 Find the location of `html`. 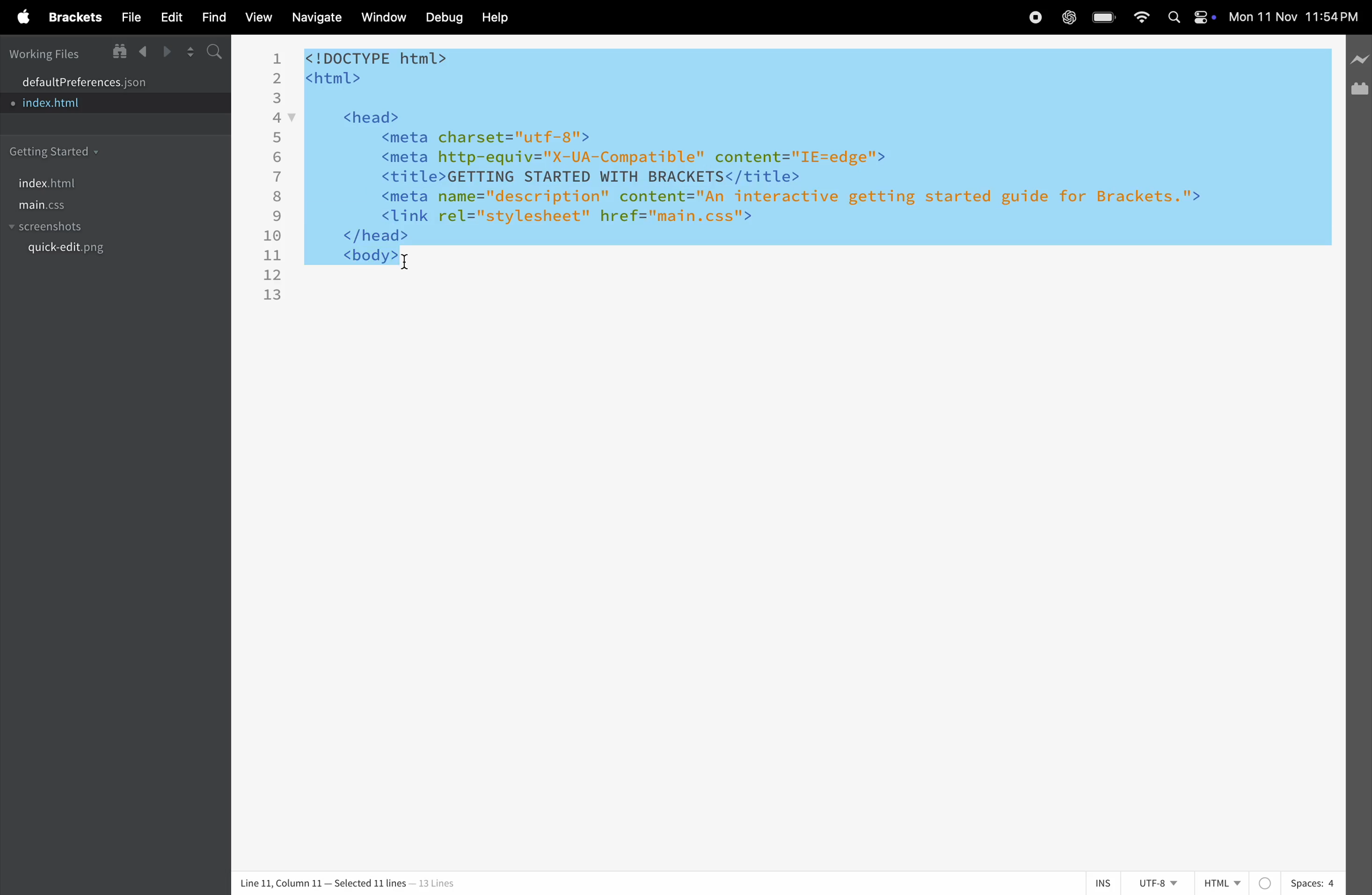

html is located at coordinates (1238, 881).